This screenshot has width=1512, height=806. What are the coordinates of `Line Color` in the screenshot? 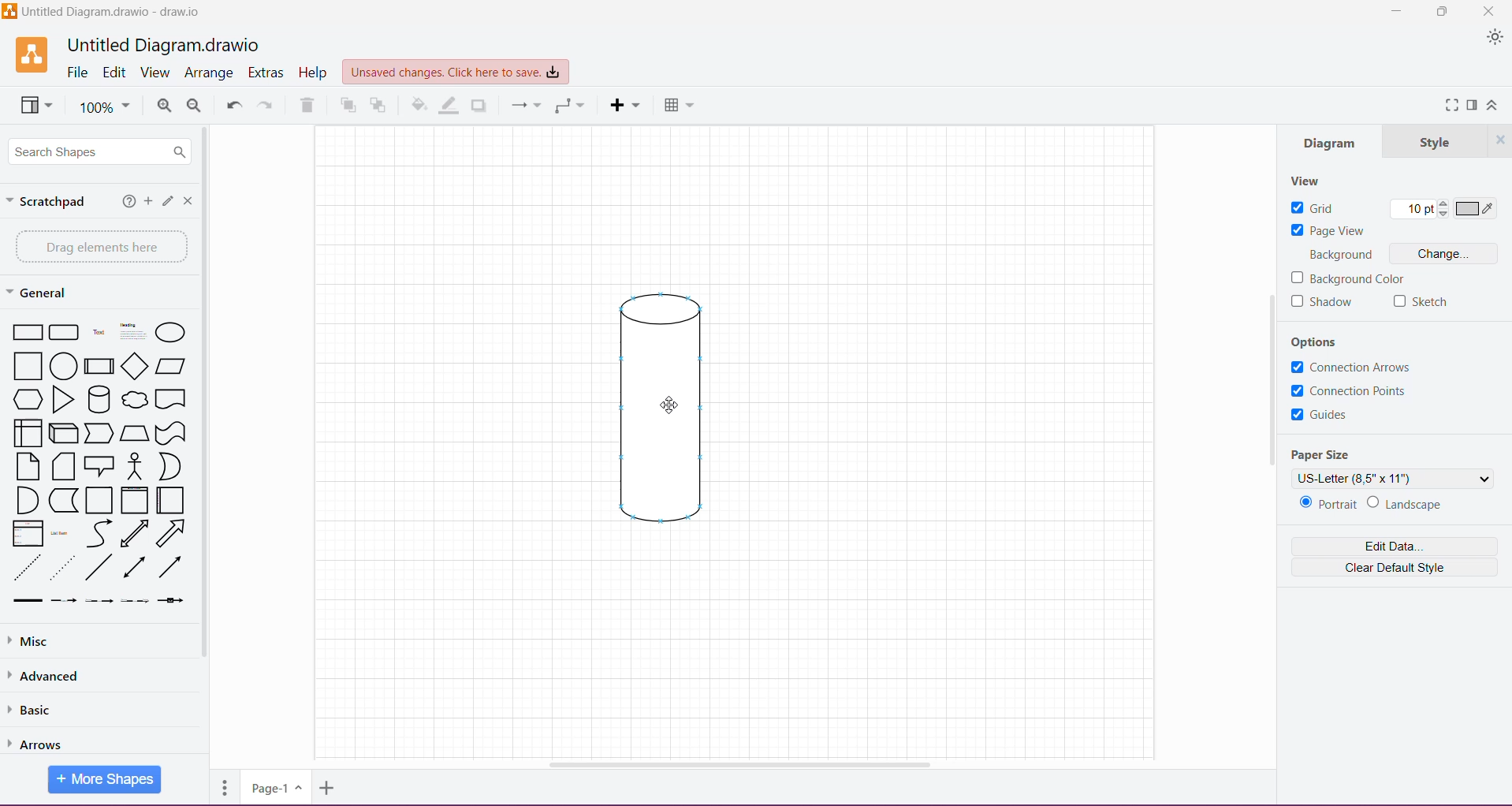 It's located at (449, 106).